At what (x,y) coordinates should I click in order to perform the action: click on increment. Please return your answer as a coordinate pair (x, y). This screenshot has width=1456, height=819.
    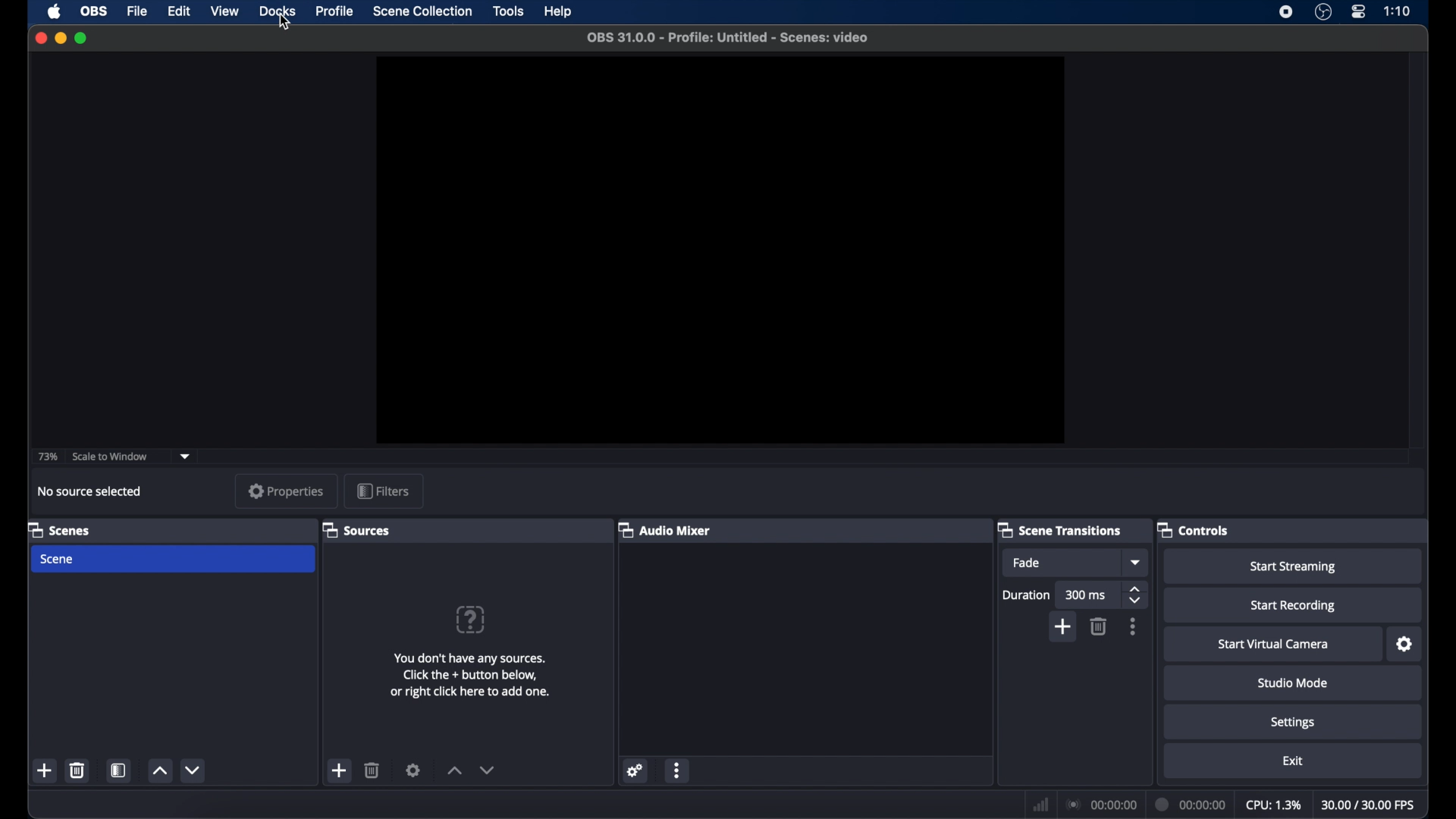
    Looking at the image, I should click on (158, 771).